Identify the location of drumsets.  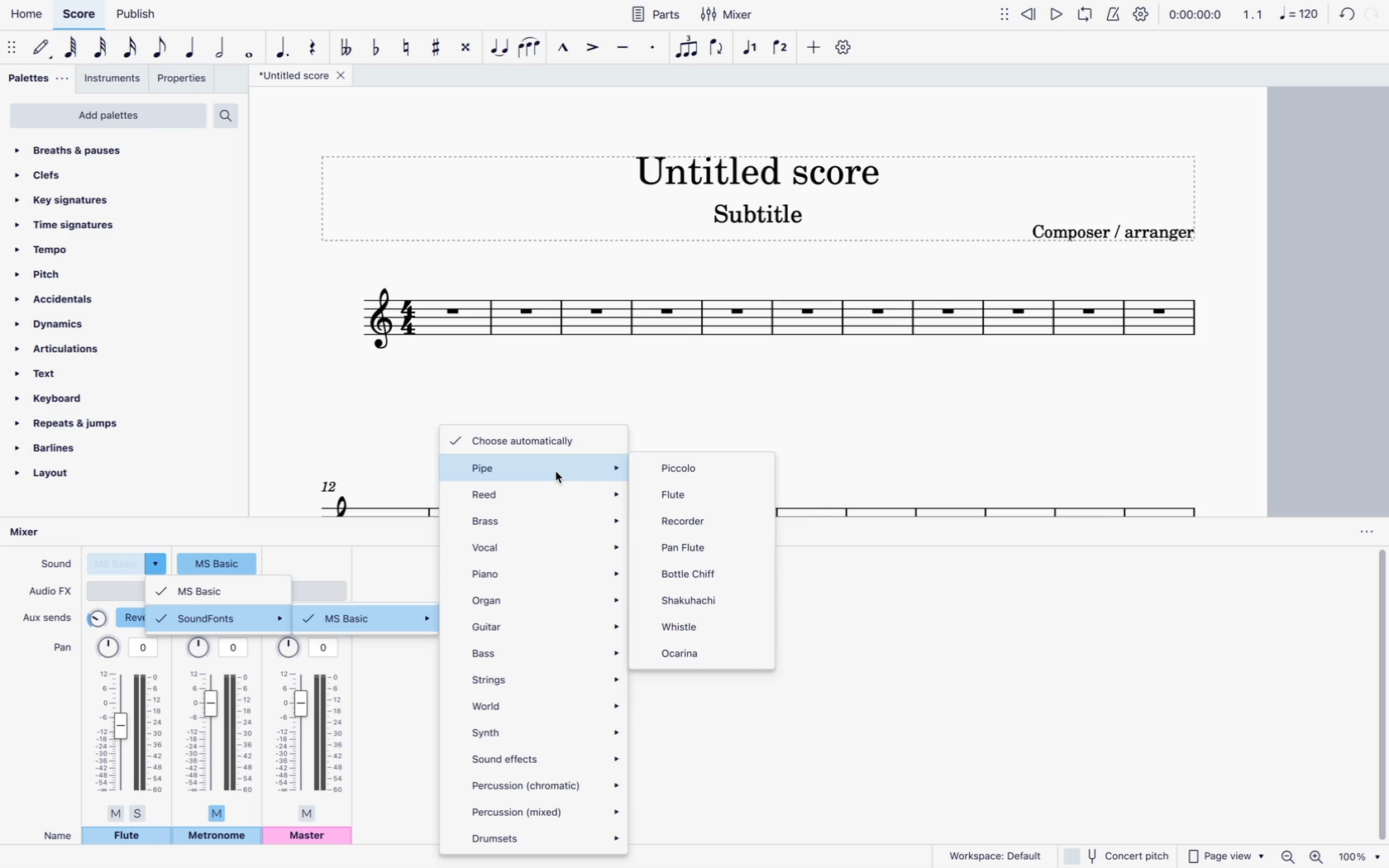
(543, 837).